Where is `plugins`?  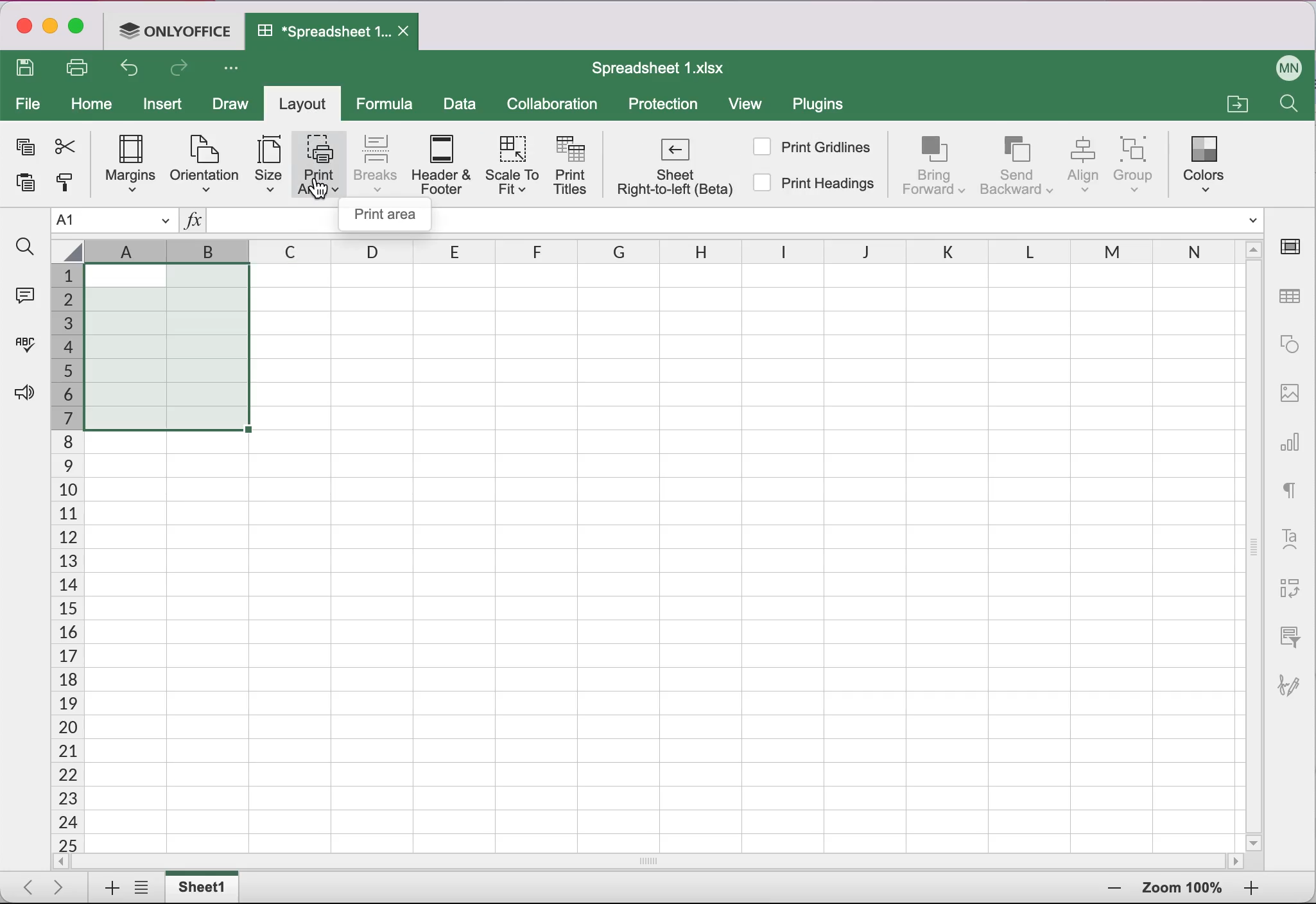 plugins is located at coordinates (824, 107).